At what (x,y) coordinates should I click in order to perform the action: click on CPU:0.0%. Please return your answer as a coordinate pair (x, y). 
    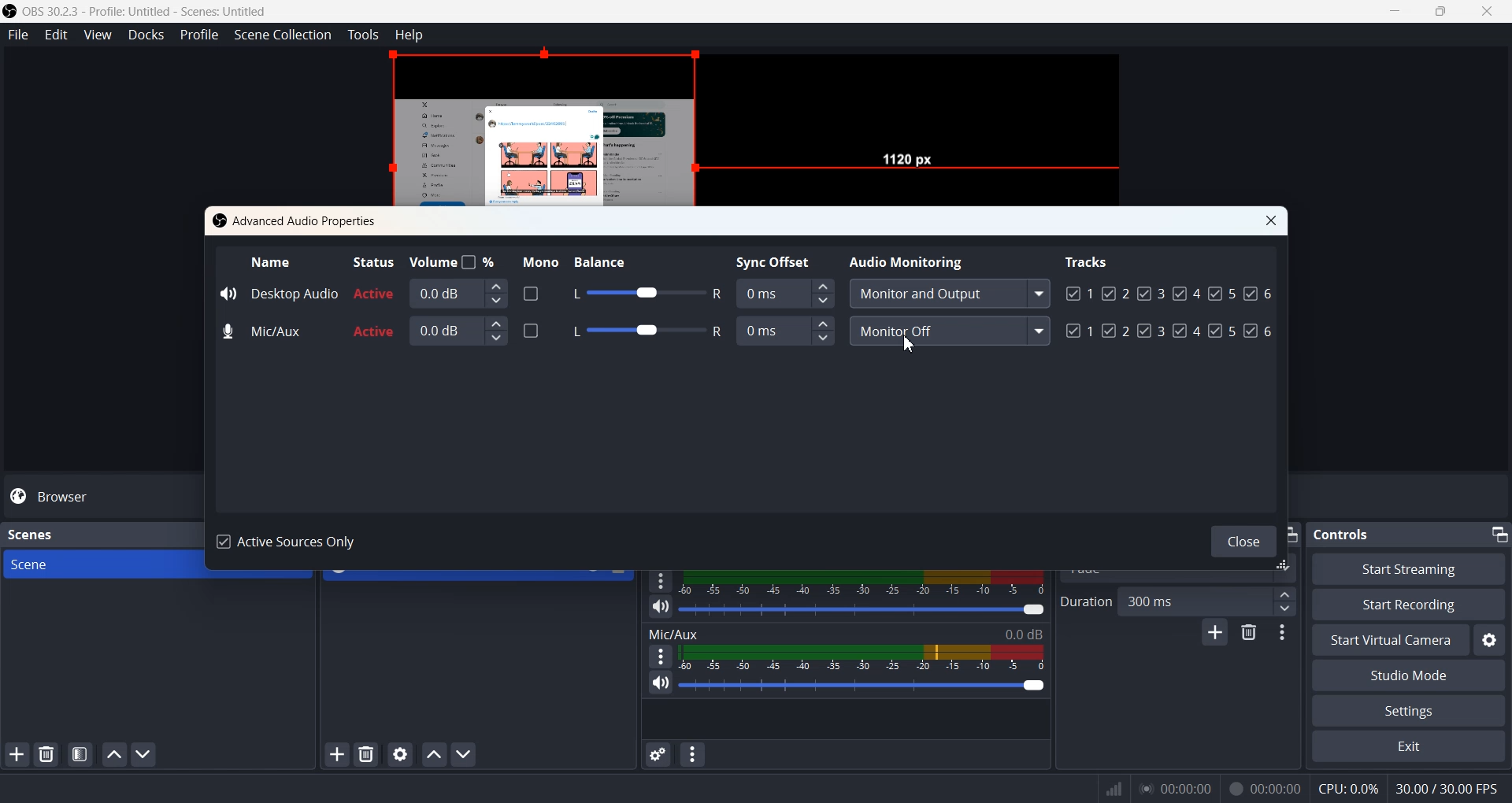
    Looking at the image, I should click on (1348, 787).